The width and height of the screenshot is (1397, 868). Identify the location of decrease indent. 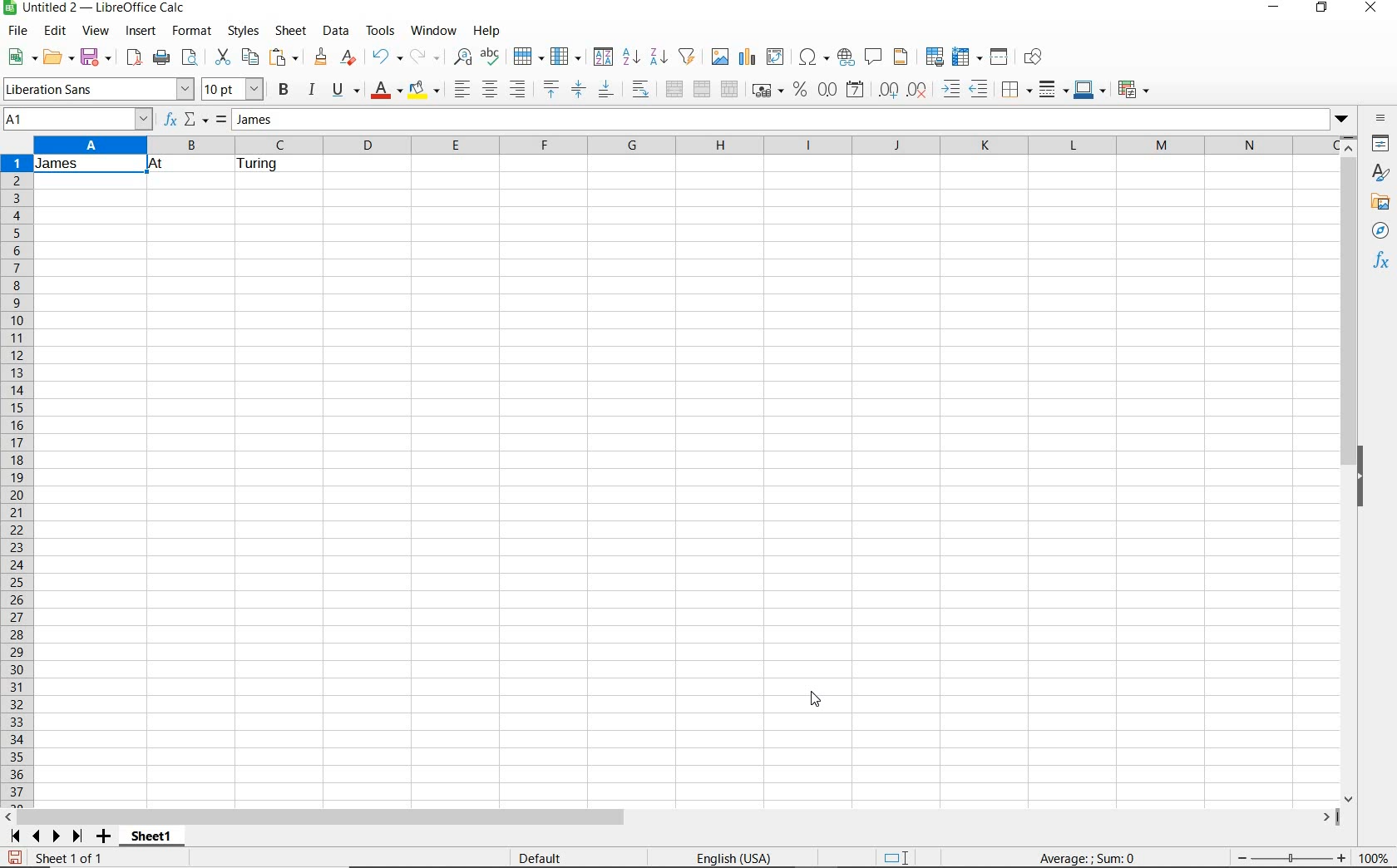
(981, 89).